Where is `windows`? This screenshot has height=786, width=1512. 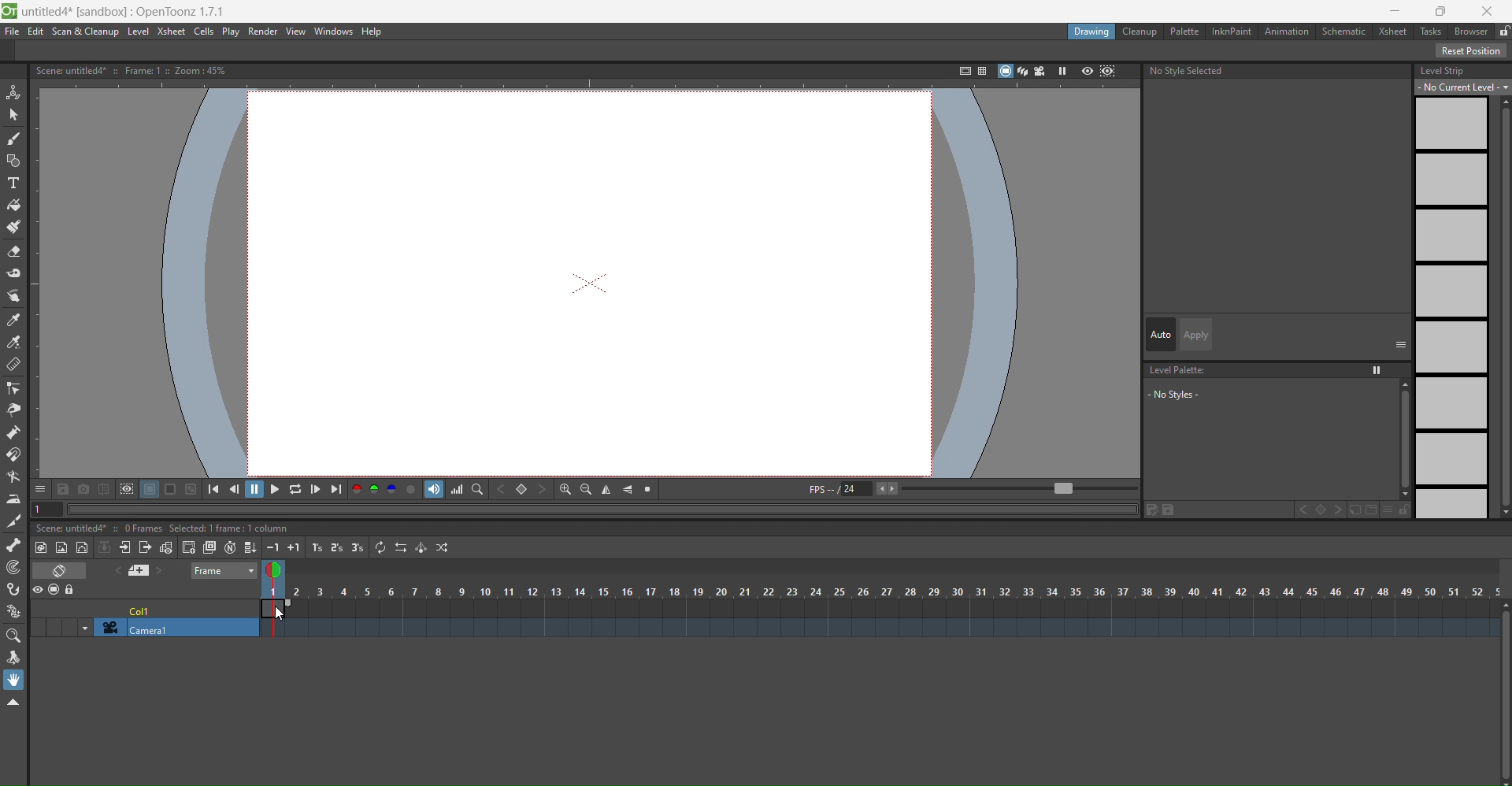 windows is located at coordinates (335, 32).